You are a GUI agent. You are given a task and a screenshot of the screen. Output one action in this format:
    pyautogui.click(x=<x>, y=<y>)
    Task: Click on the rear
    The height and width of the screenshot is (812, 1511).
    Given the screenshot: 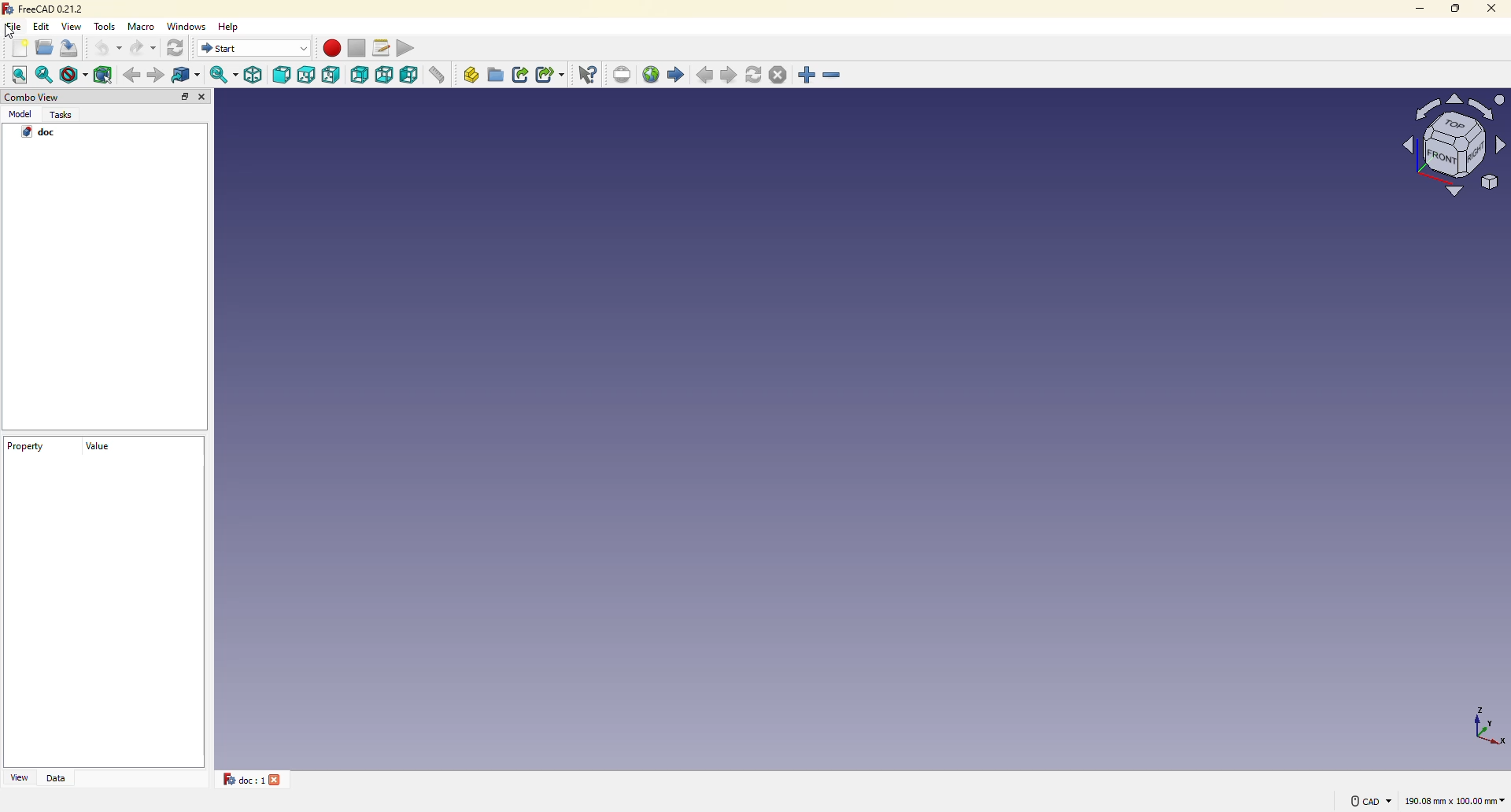 What is the action you would take?
    pyautogui.click(x=360, y=74)
    